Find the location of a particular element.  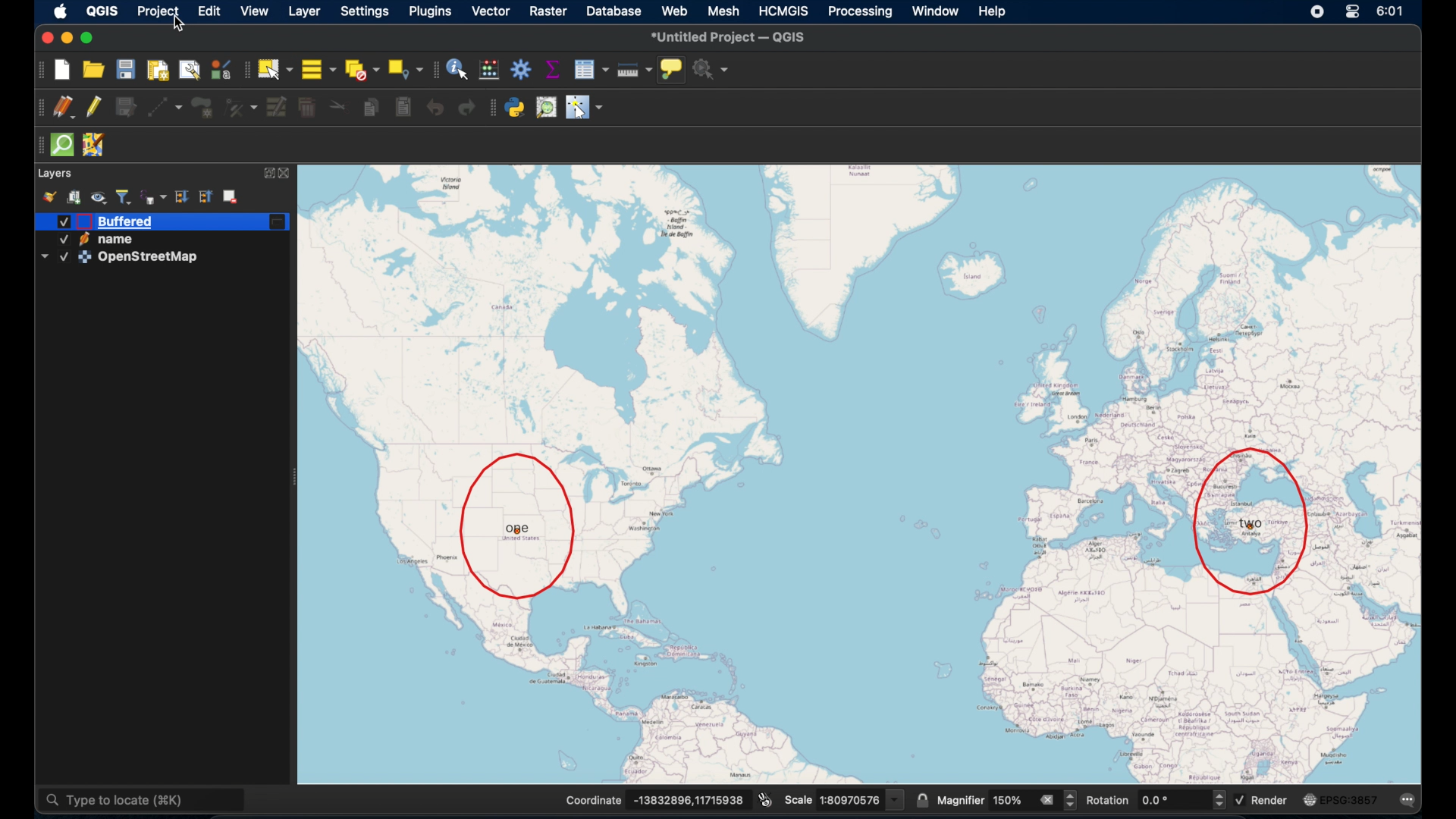

Coordinate -13832896,11715938 is located at coordinates (654, 800).